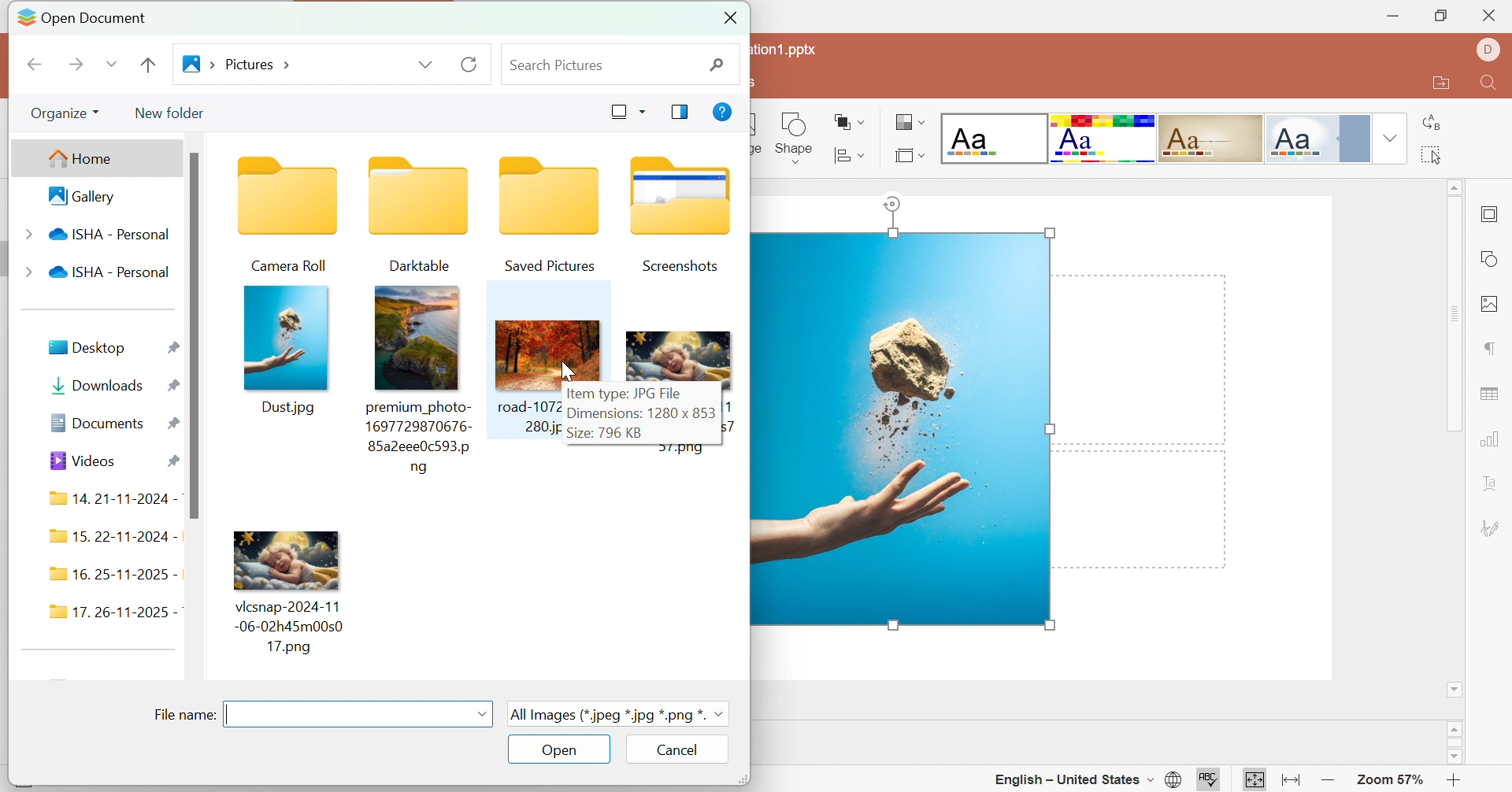 The image size is (1512, 792). Describe the element at coordinates (84, 16) in the screenshot. I see `Open document` at that location.